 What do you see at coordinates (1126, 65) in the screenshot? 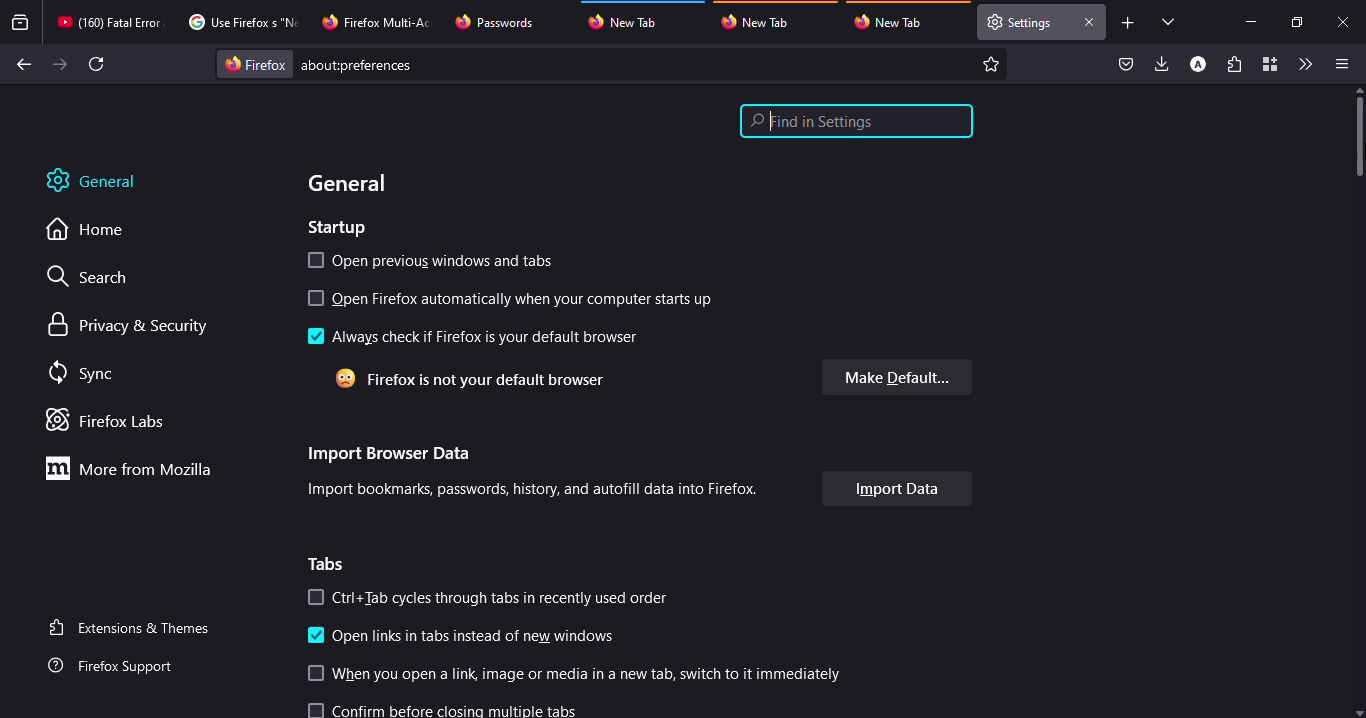
I see `save to pocket` at bounding box center [1126, 65].